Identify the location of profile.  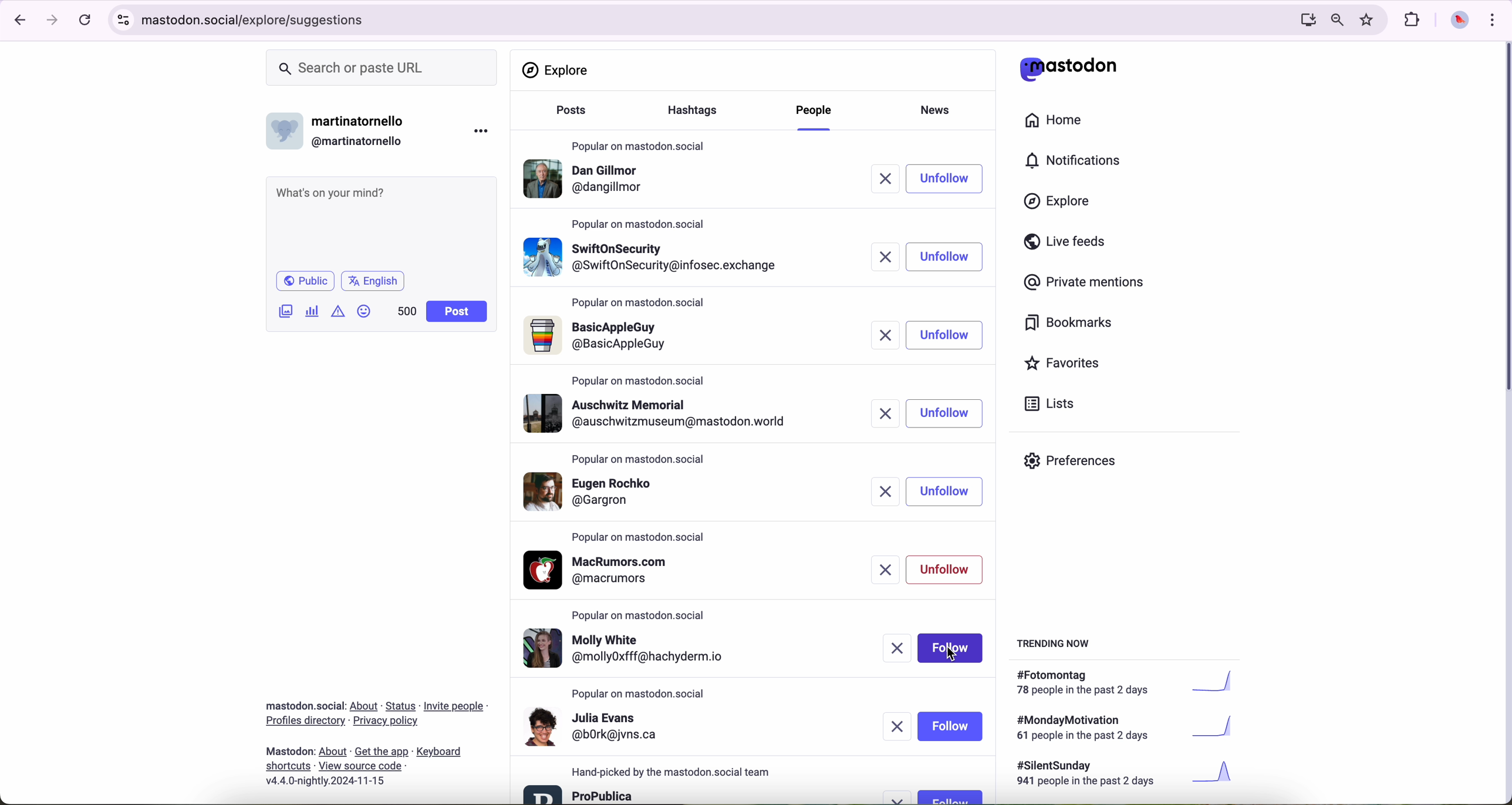
(603, 490).